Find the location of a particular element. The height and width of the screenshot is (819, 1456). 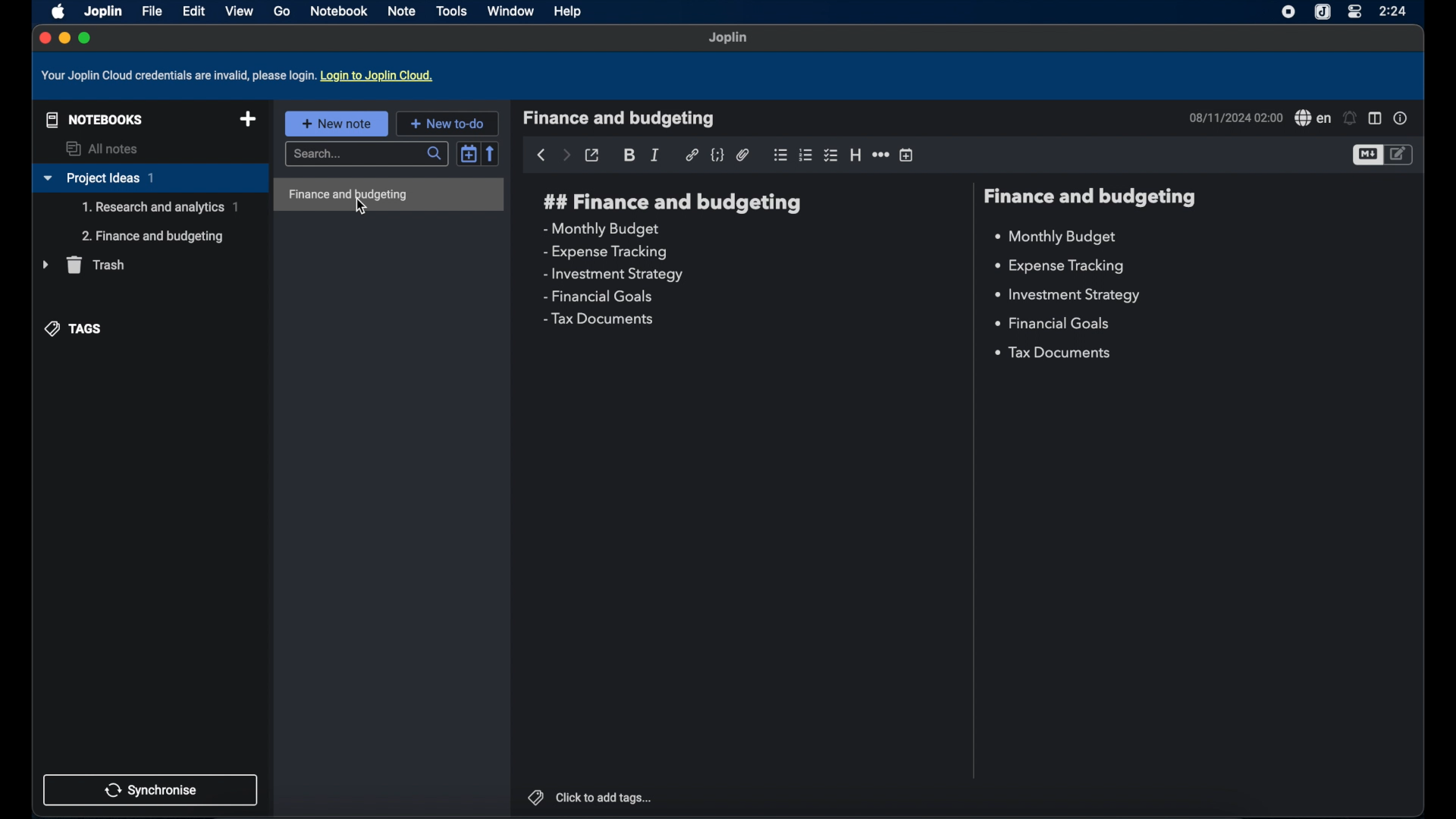

note is located at coordinates (403, 11).